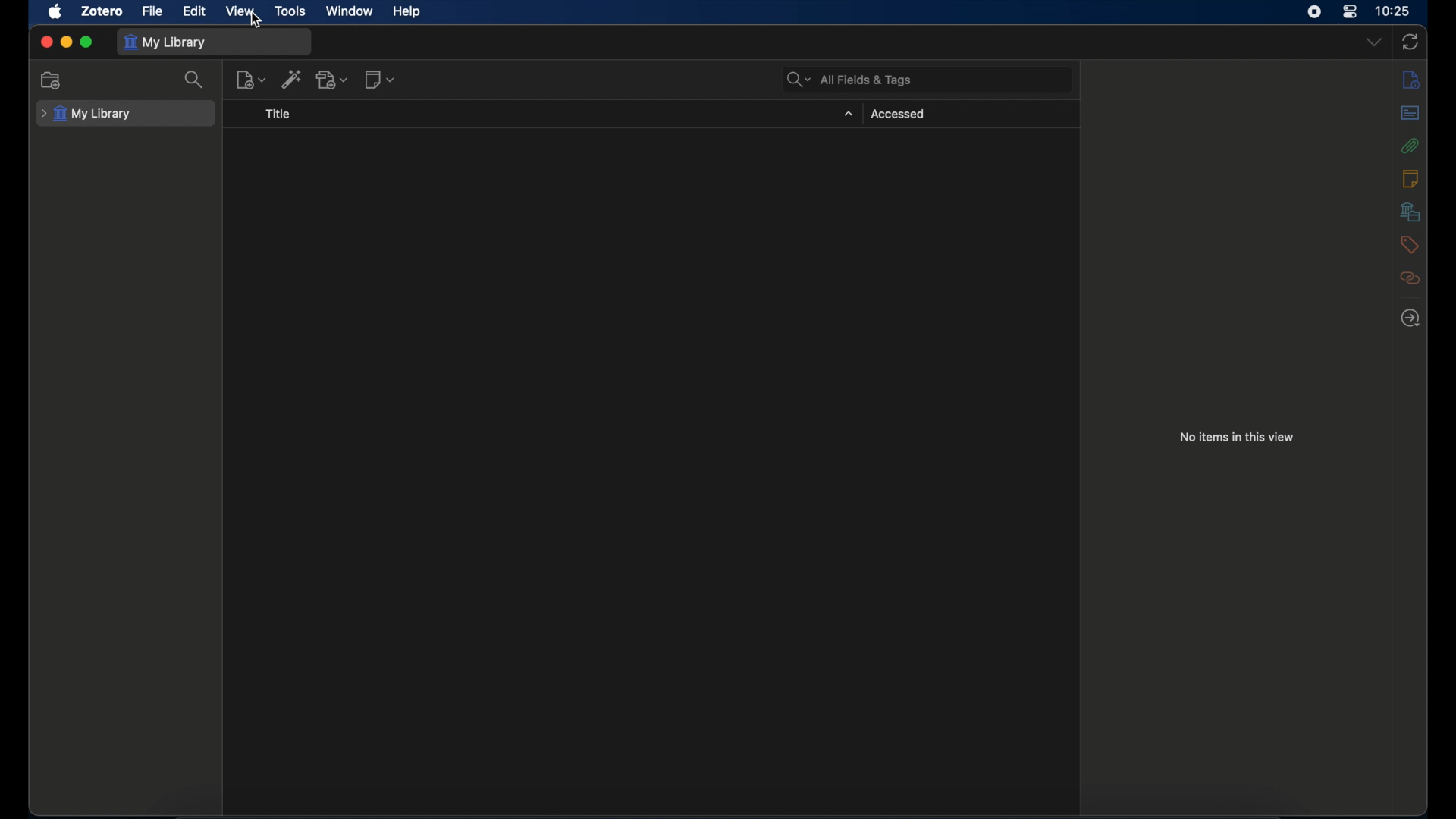 The width and height of the screenshot is (1456, 819). I want to click on locate, so click(1411, 318).